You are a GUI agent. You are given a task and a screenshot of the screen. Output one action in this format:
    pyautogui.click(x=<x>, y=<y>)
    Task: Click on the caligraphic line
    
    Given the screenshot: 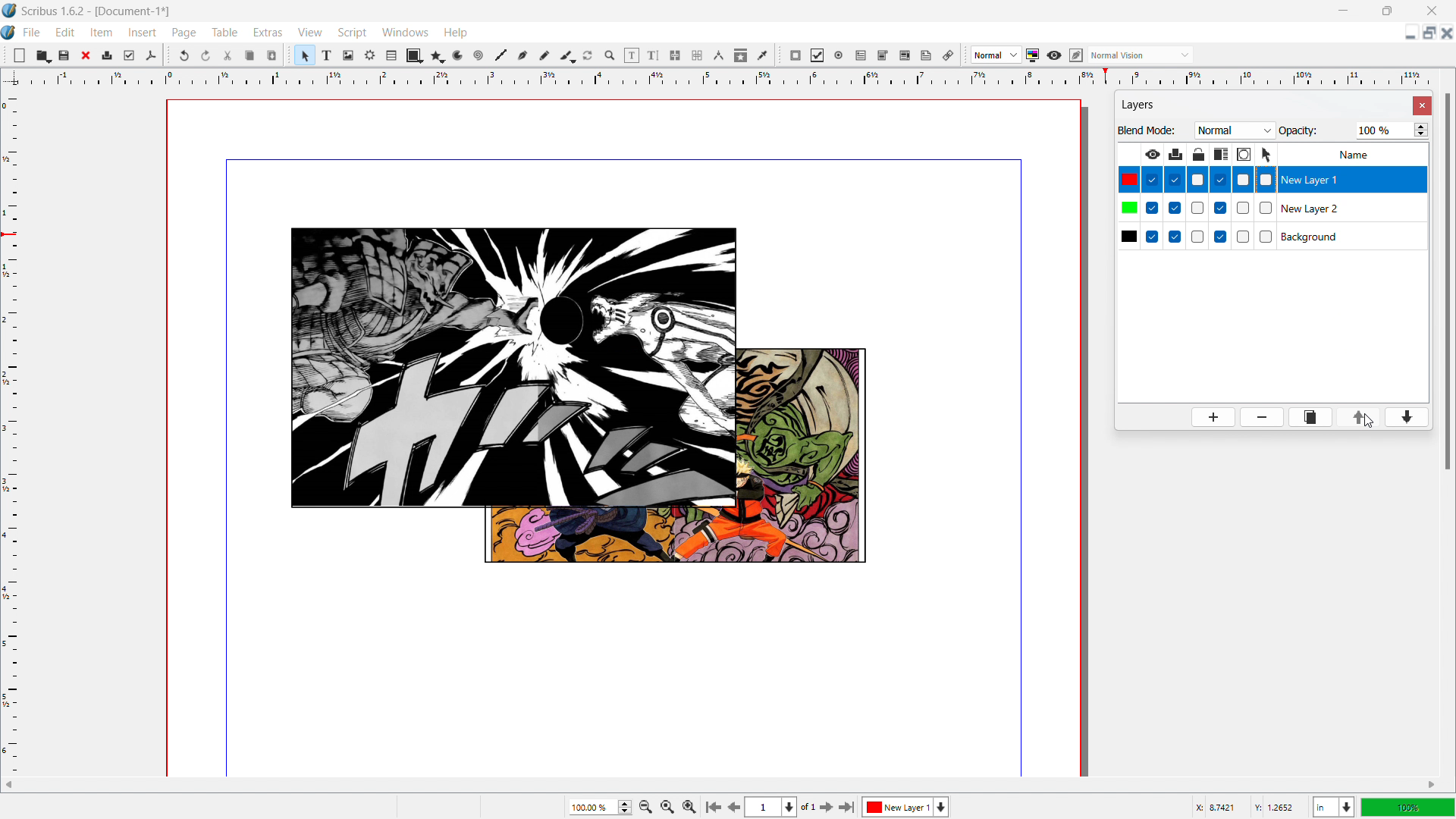 What is the action you would take?
    pyautogui.click(x=566, y=55)
    